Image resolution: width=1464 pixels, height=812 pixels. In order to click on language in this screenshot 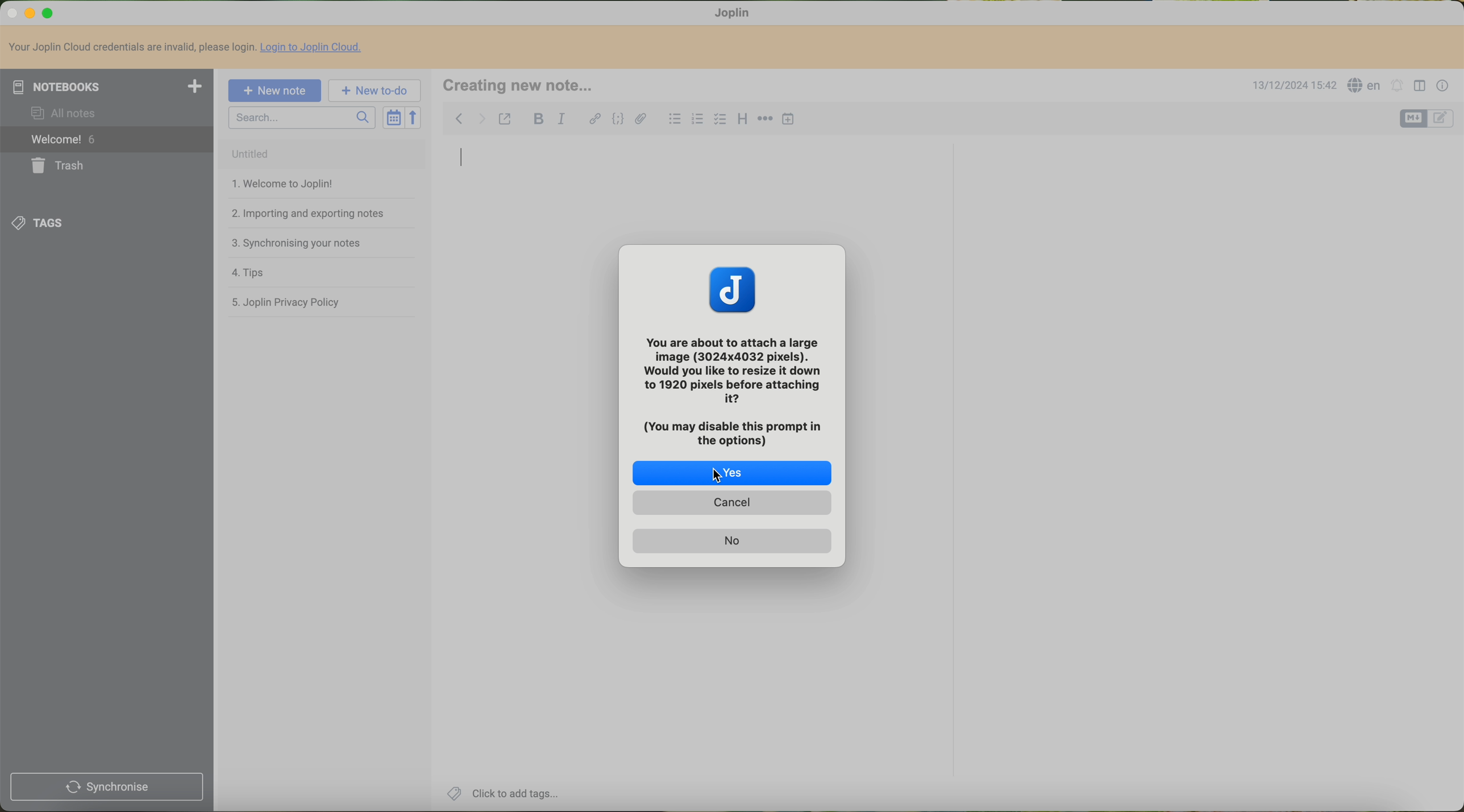, I will do `click(1365, 85)`.